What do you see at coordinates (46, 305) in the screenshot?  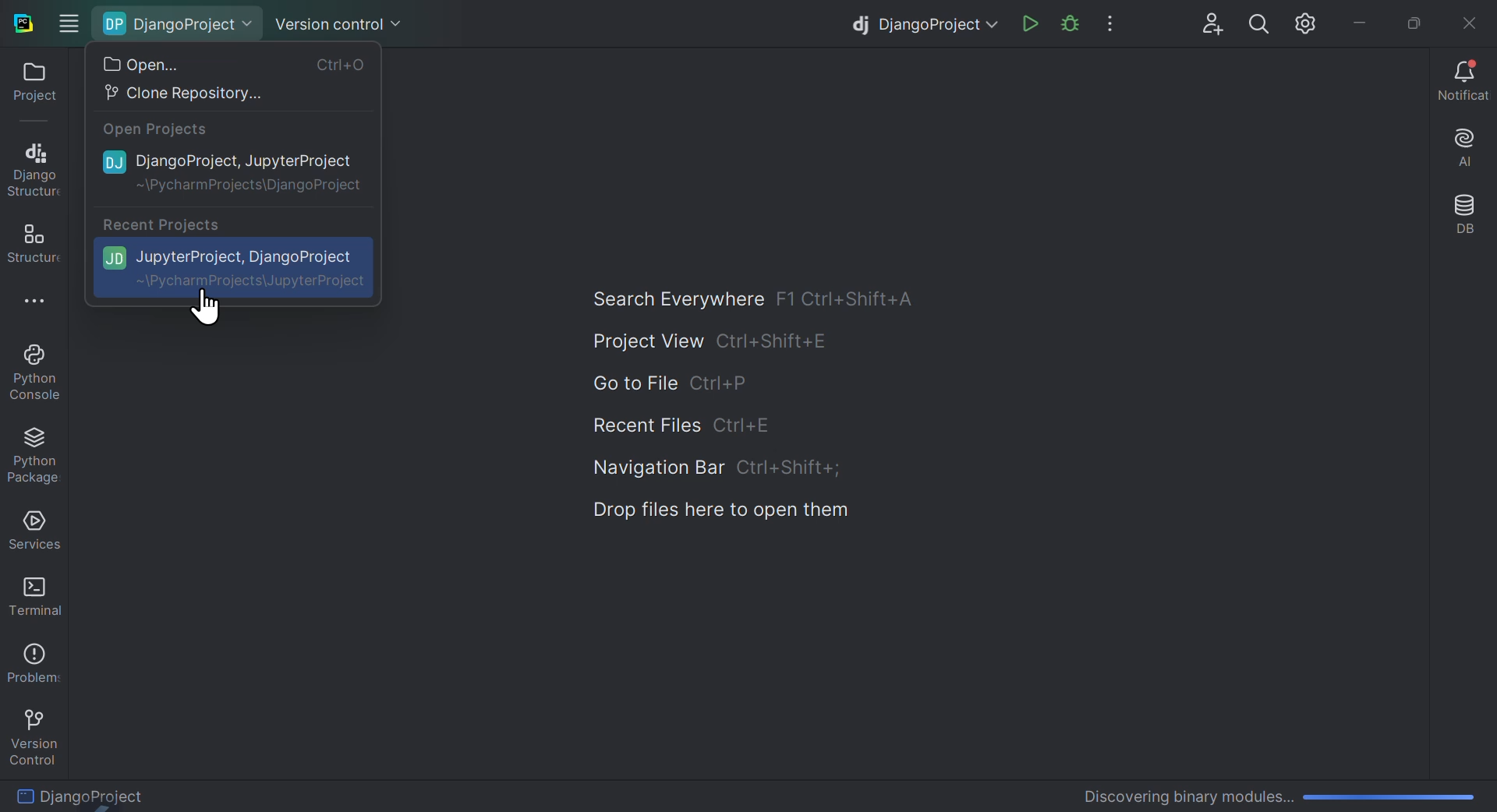 I see `More options` at bounding box center [46, 305].